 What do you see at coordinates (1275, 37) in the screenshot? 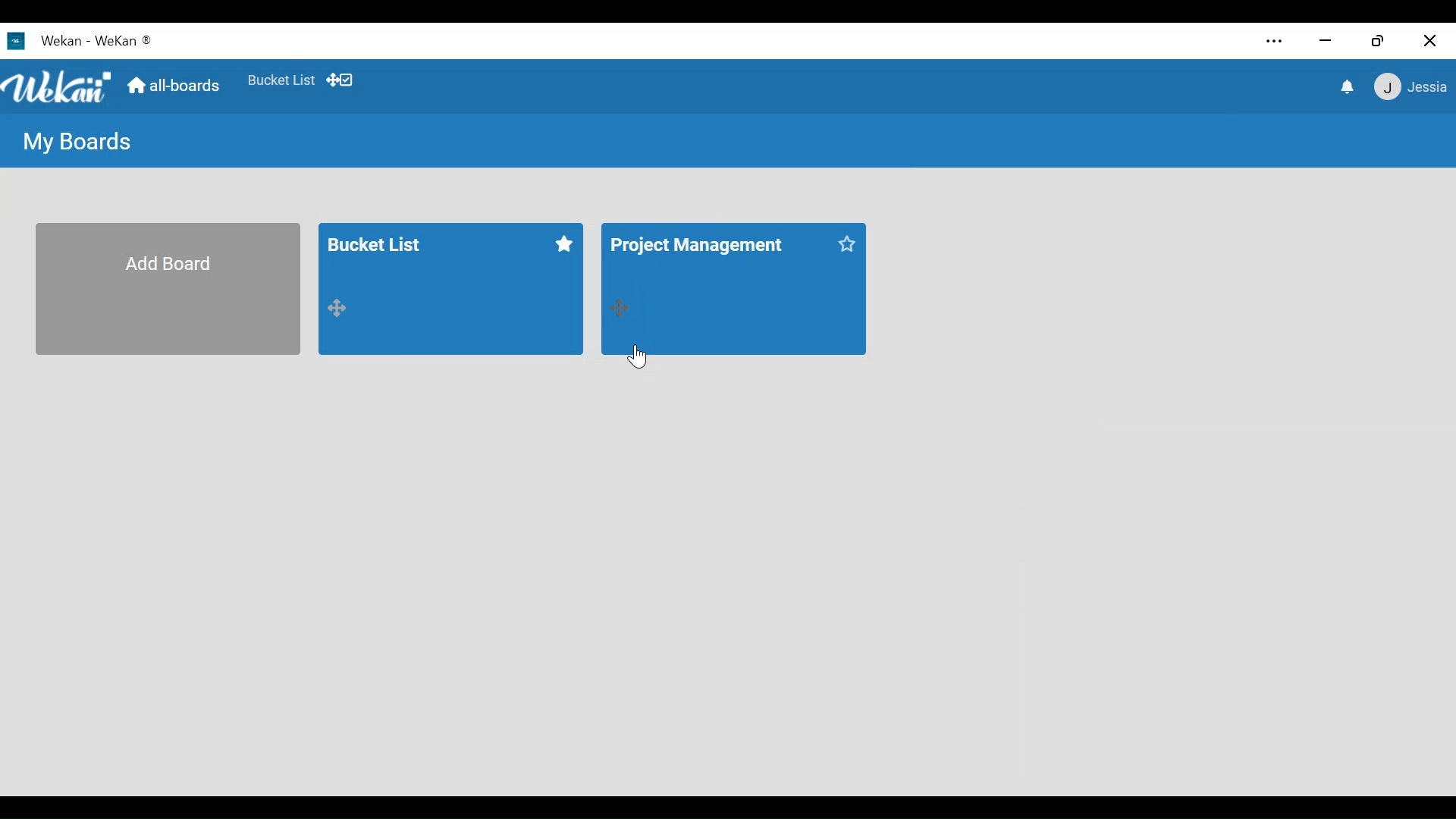
I see `more` at bounding box center [1275, 37].